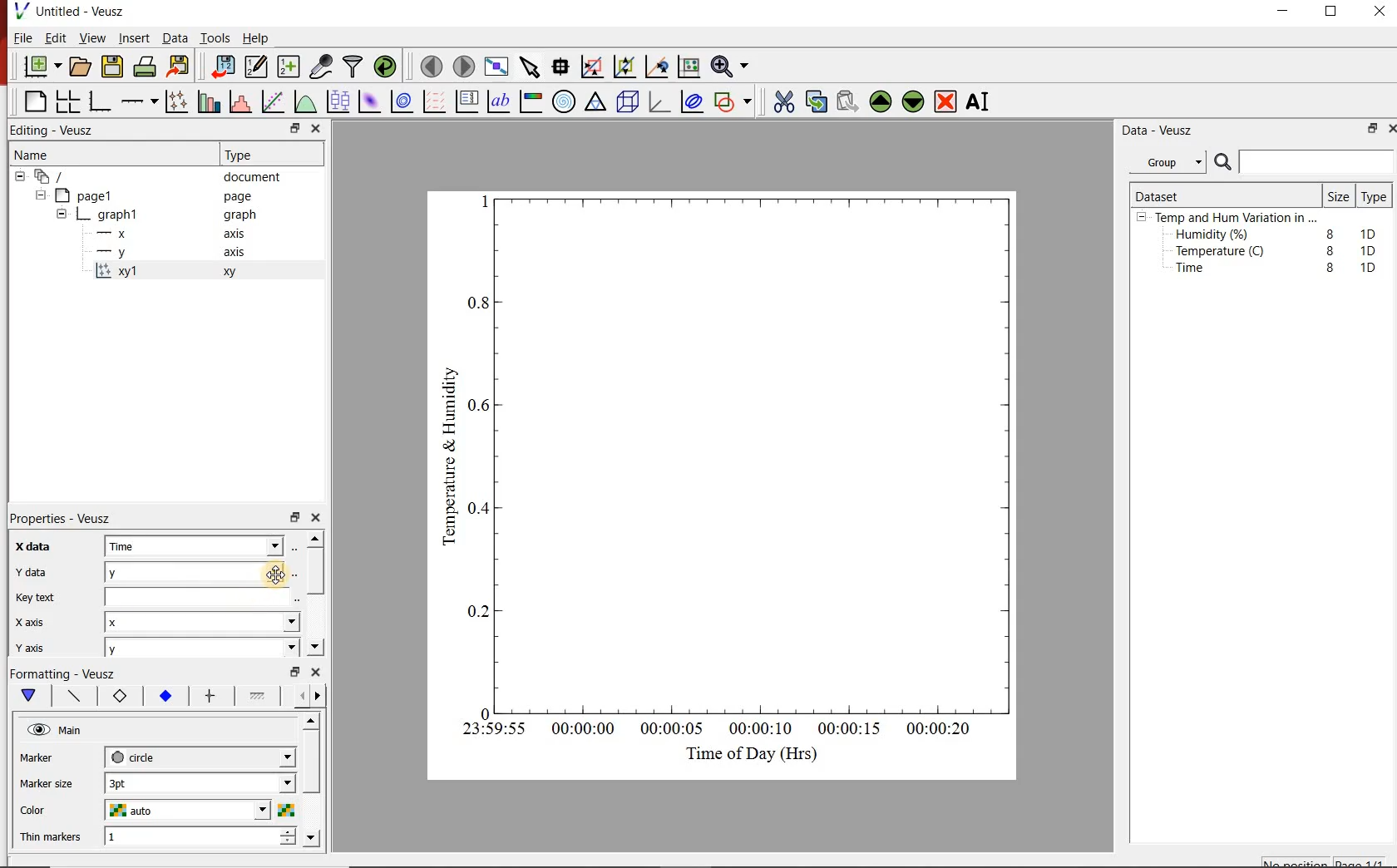 This screenshot has width=1397, height=868. What do you see at coordinates (479, 302) in the screenshot?
I see `0.8` at bounding box center [479, 302].